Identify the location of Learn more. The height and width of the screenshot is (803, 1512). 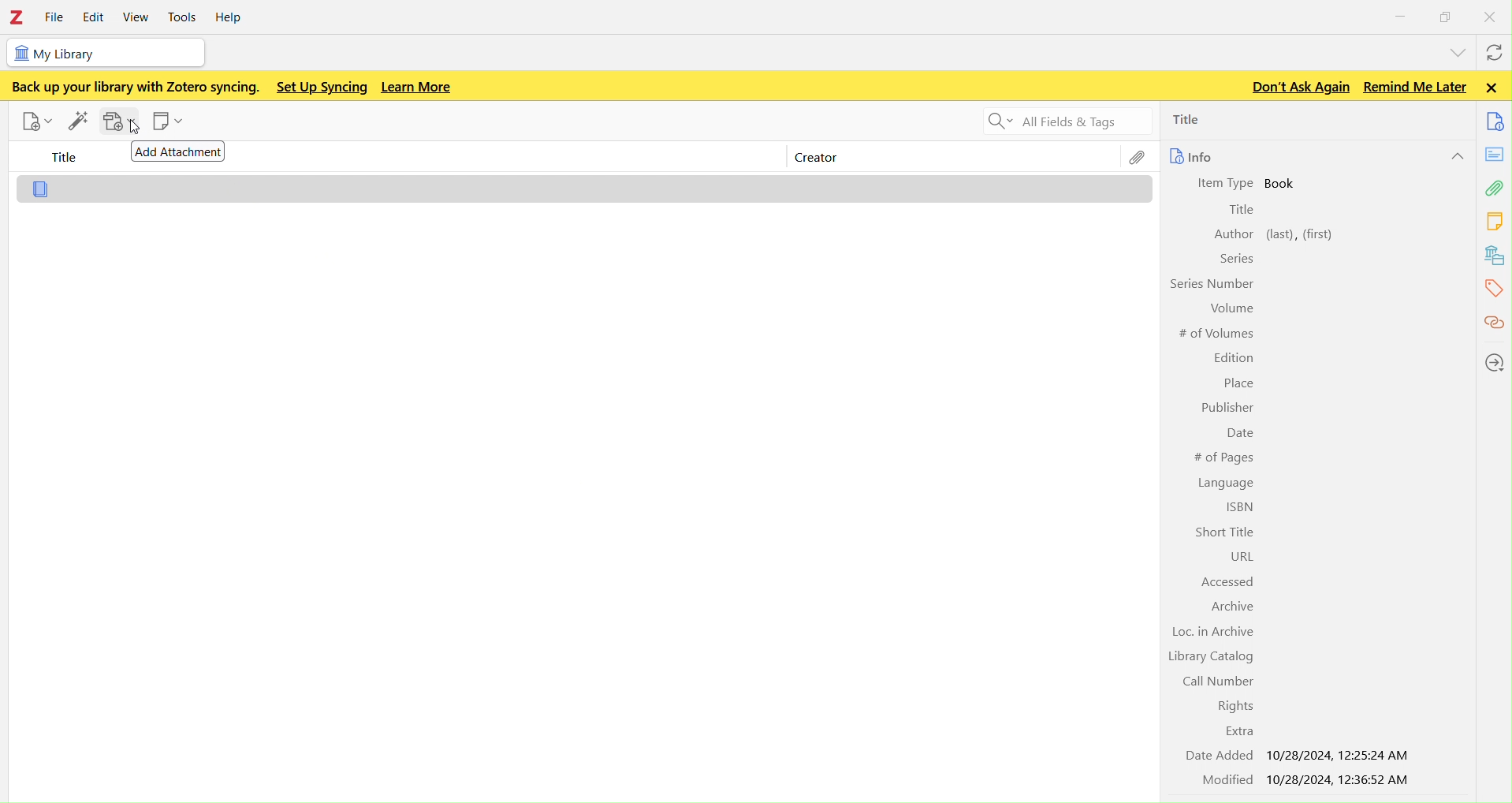
(417, 86).